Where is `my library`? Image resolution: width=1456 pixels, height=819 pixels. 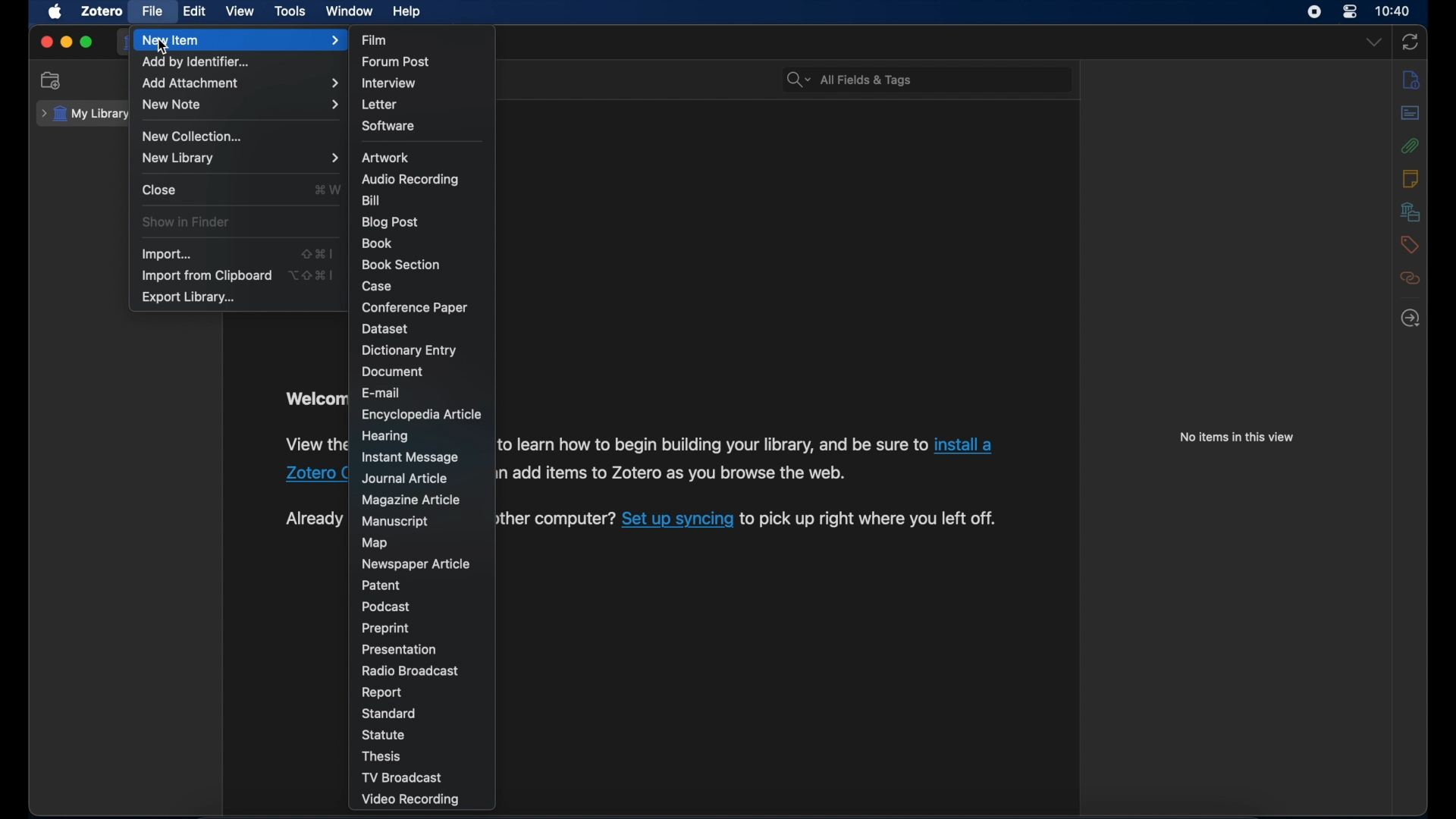 my library is located at coordinates (83, 113).